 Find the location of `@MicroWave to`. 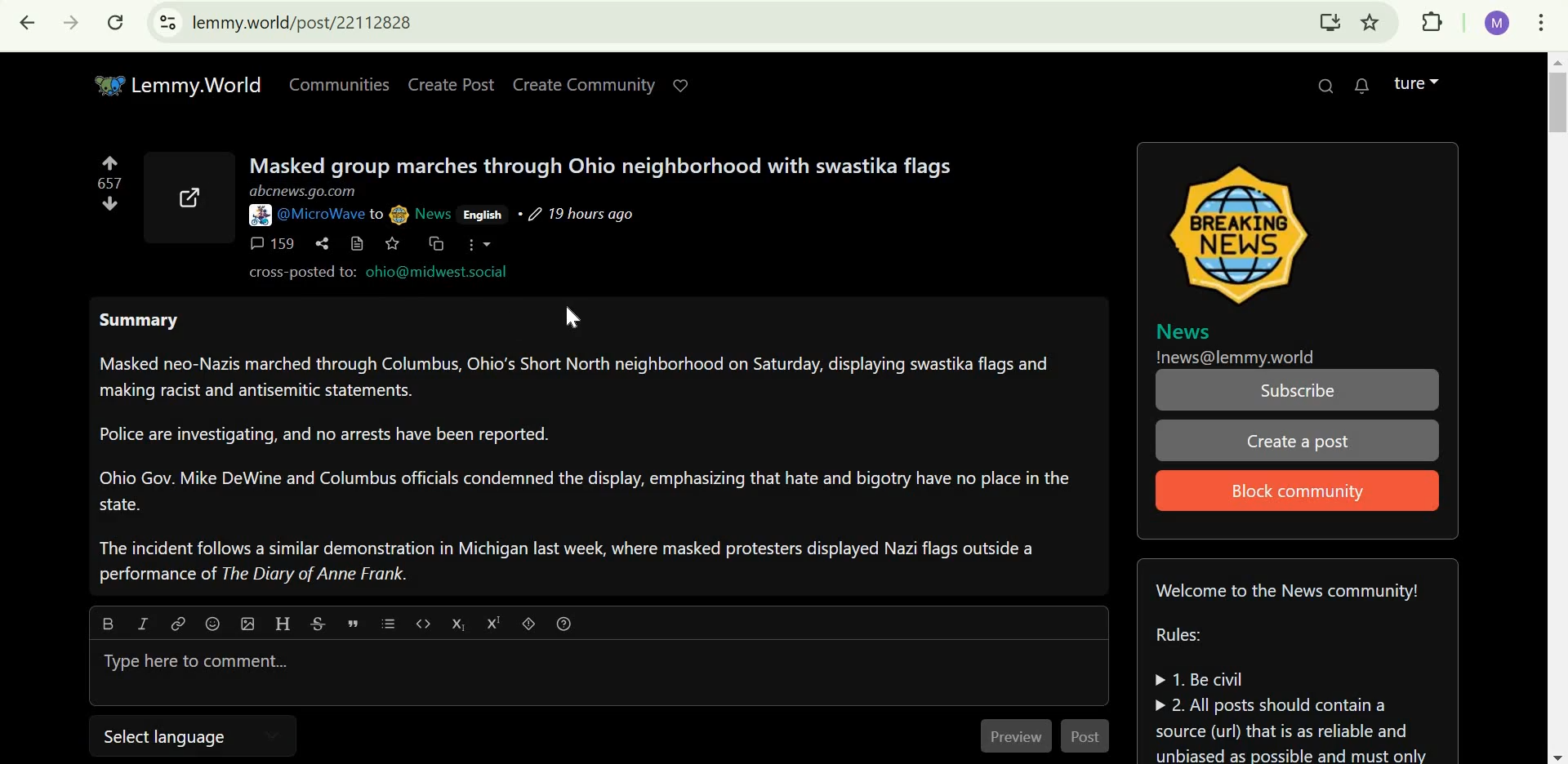

@MicroWave to is located at coordinates (327, 215).